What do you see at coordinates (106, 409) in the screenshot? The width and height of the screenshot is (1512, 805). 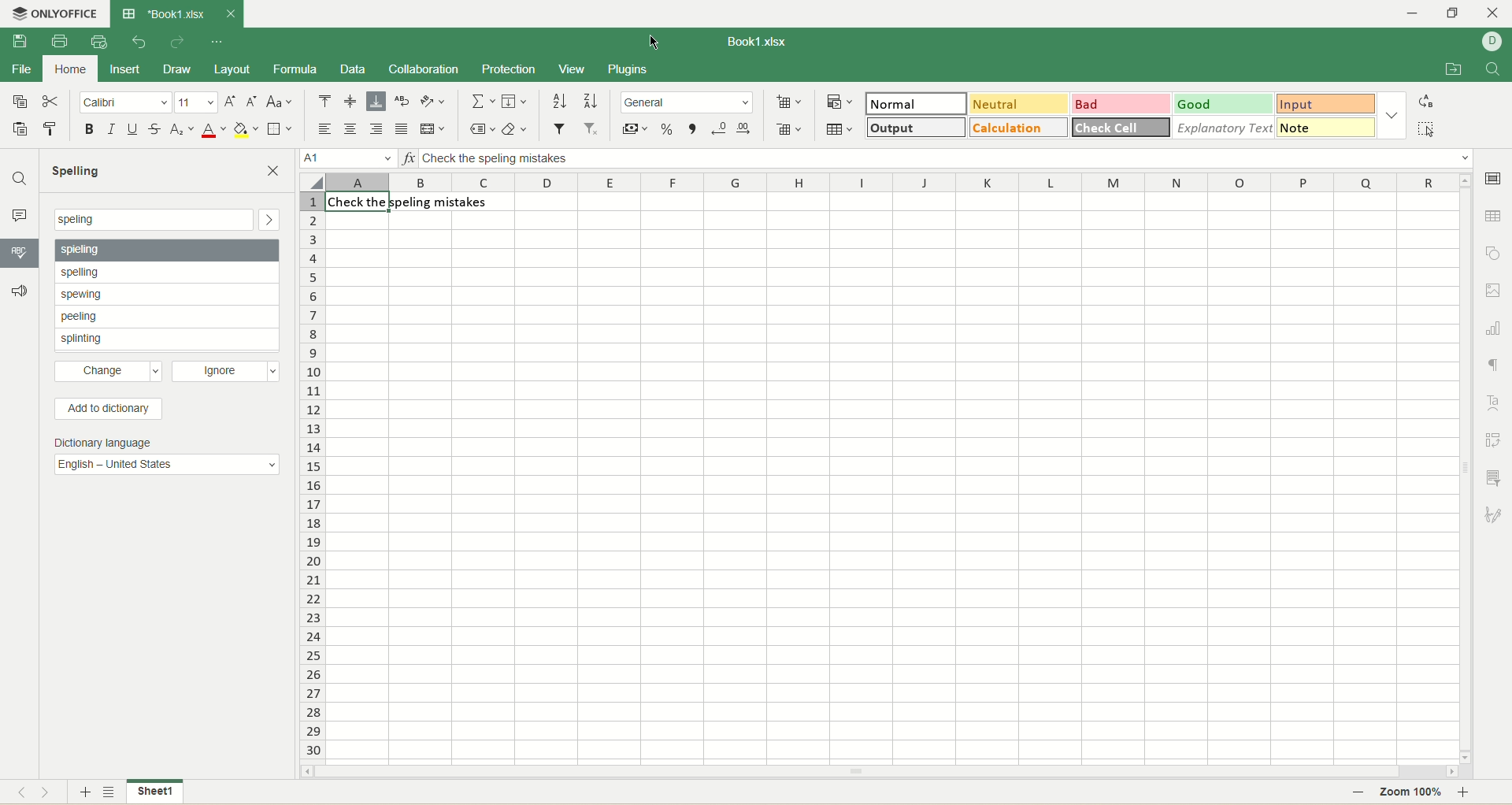 I see `add to dictionary` at bounding box center [106, 409].